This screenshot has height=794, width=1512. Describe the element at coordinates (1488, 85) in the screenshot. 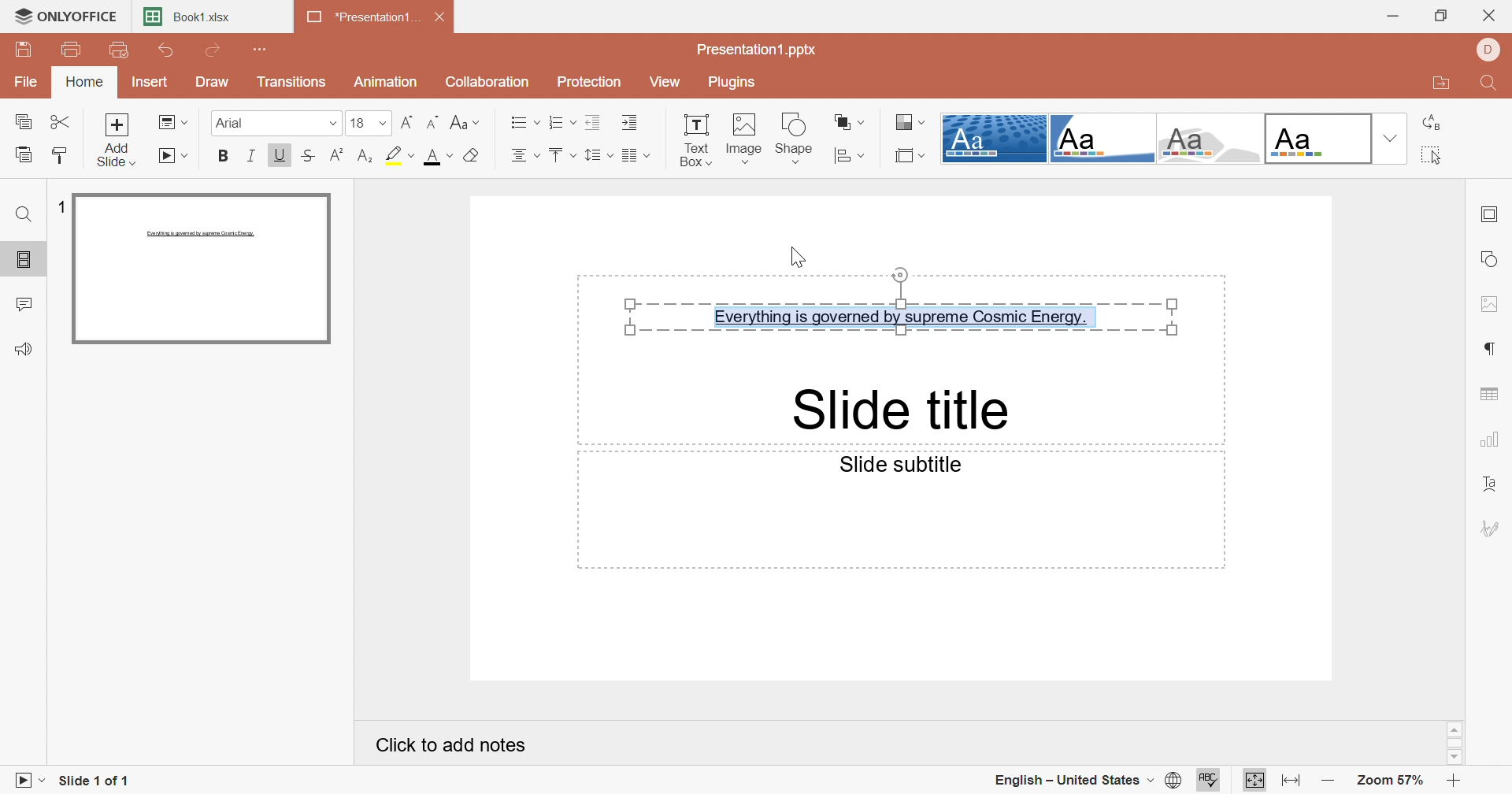

I see `Find` at that location.